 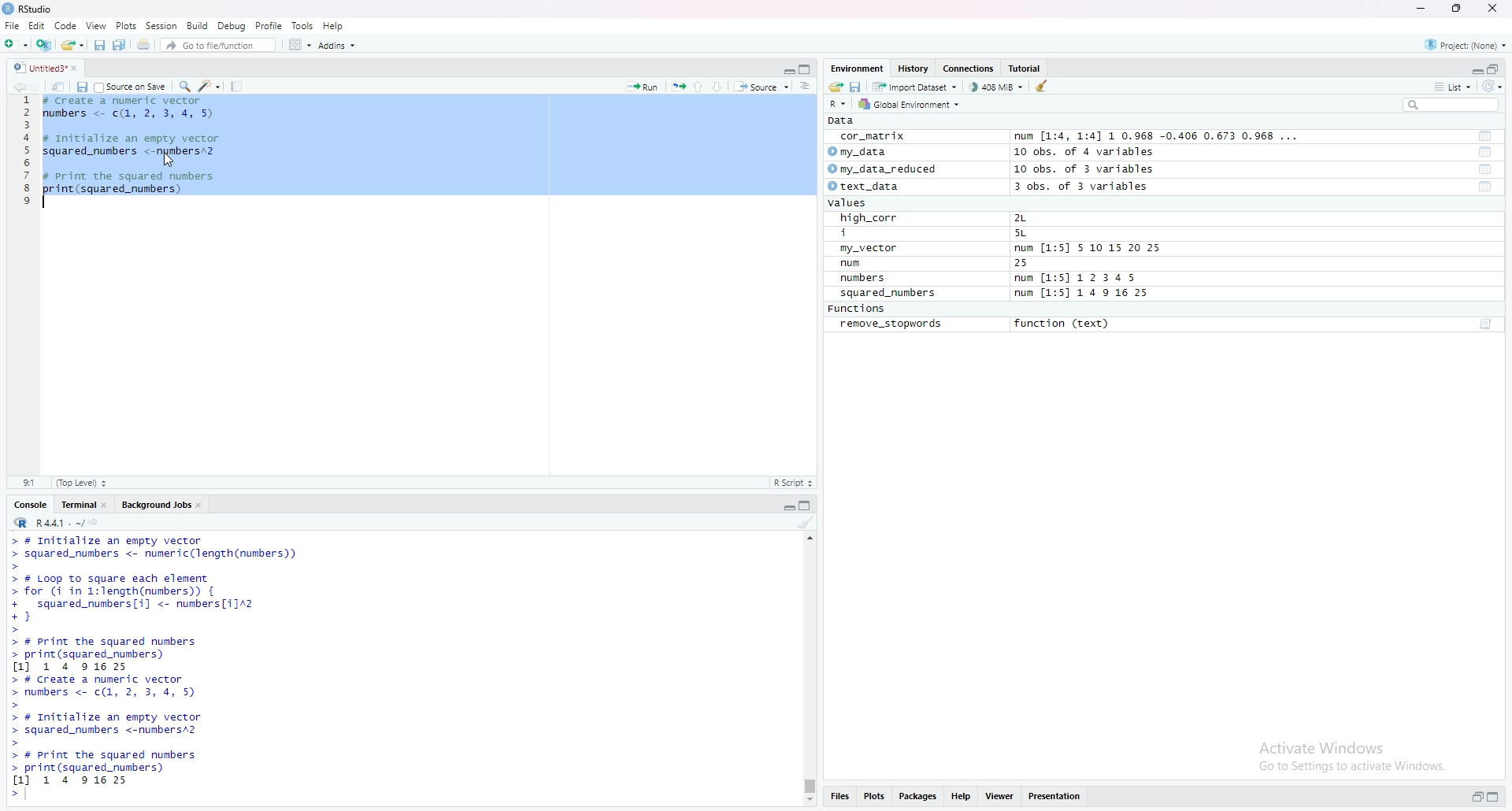 I want to click on minimize, so click(x=787, y=504).